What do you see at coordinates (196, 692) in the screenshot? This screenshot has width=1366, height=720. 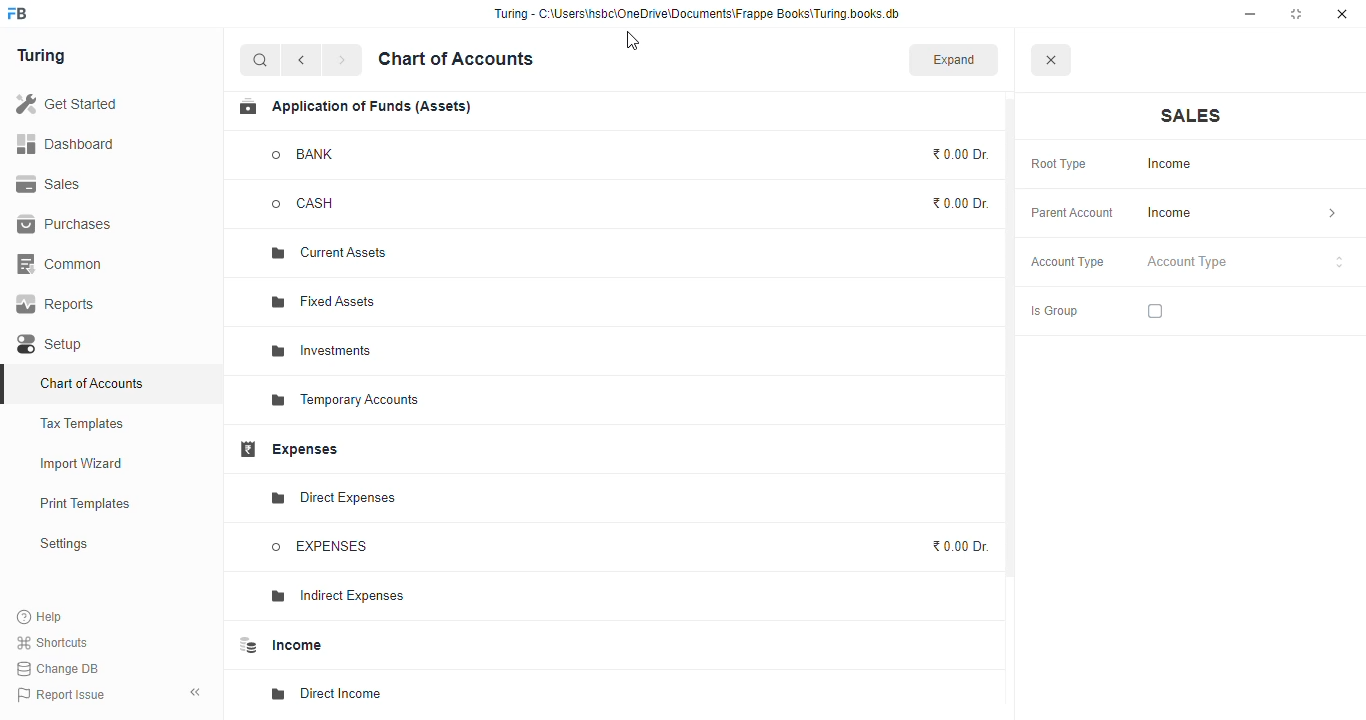 I see `toggle sidebar` at bounding box center [196, 692].